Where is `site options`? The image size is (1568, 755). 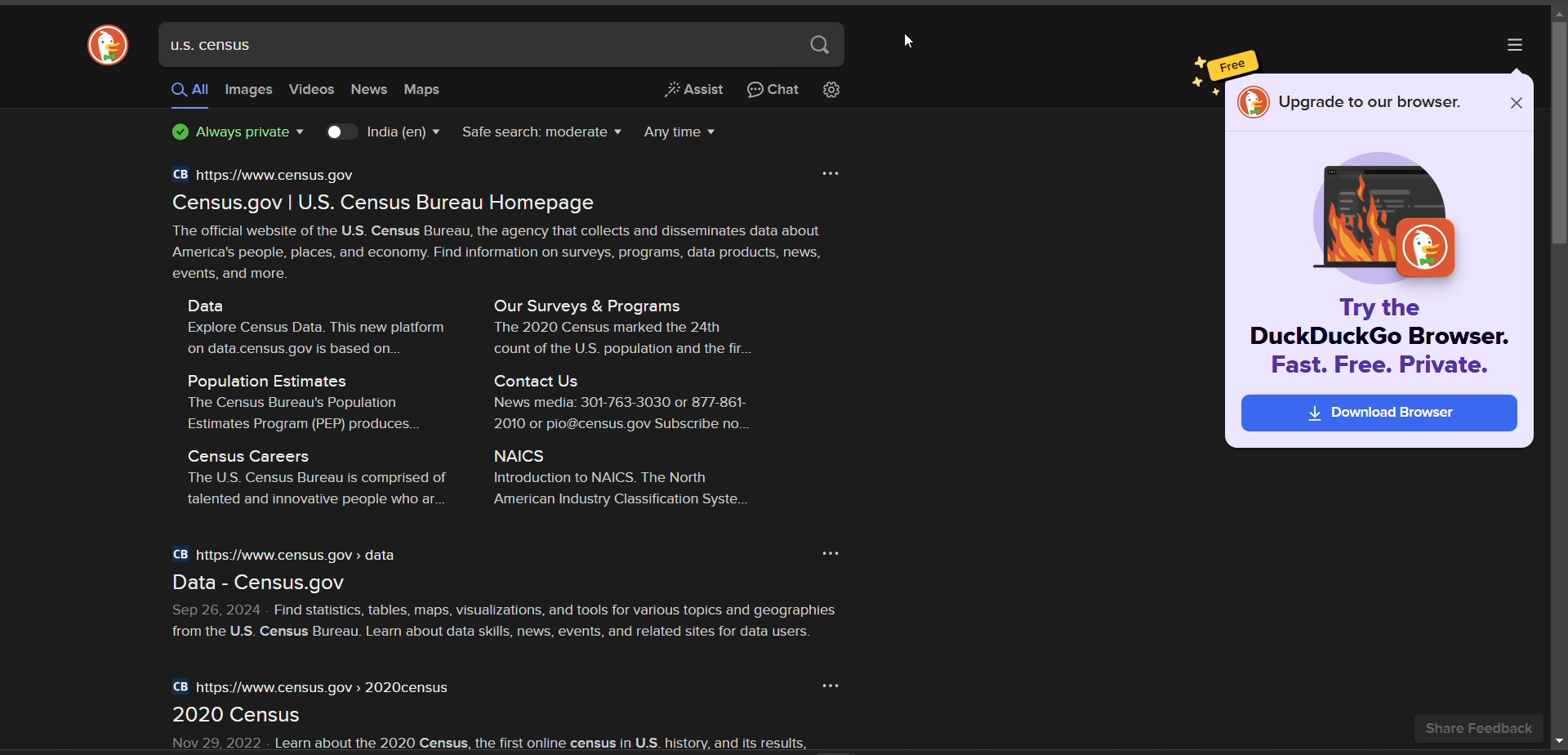 site options is located at coordinates (839, 552).